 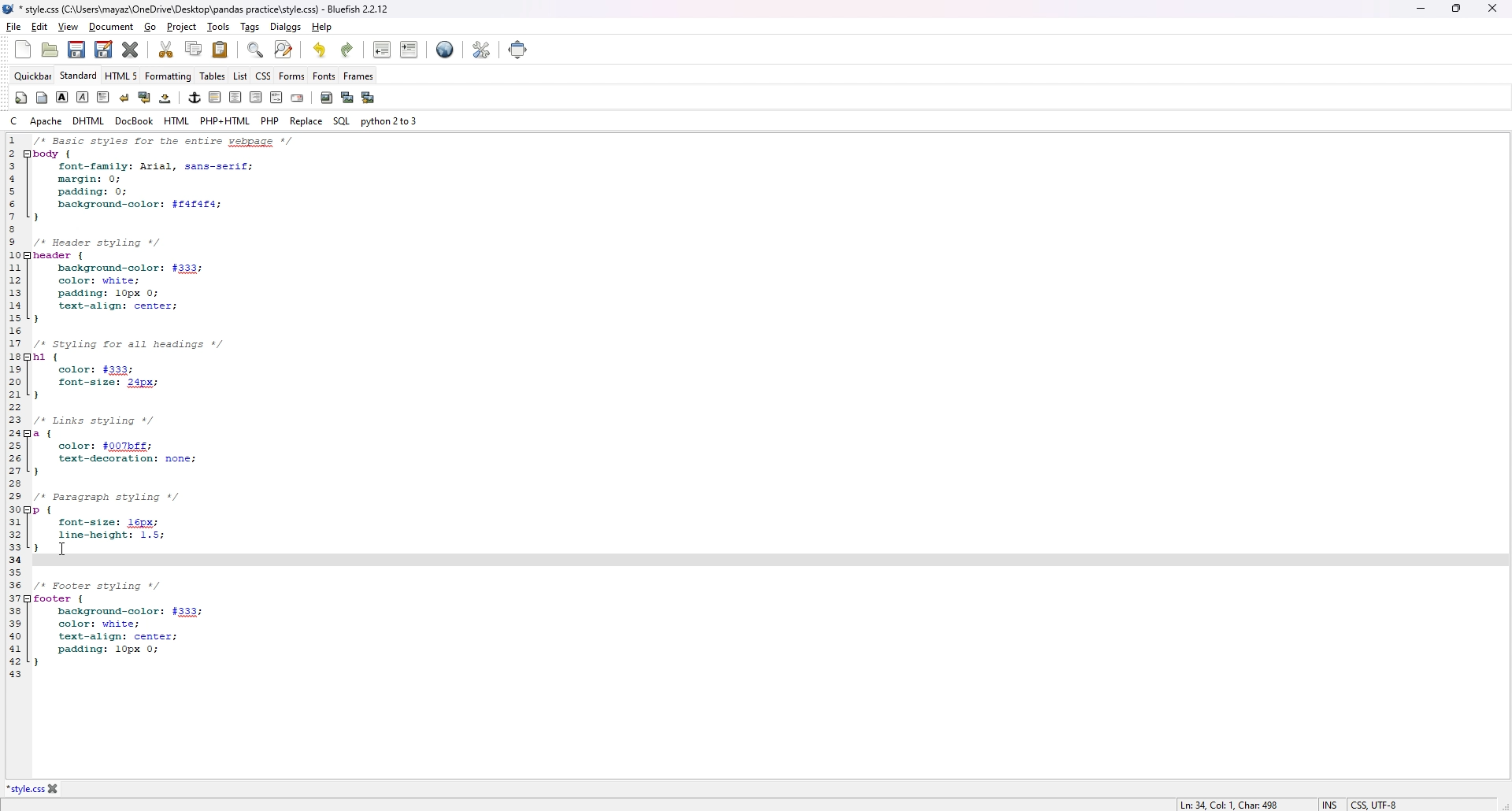 What do you see at coordinates (240, 76) in the screenshot?
I see `list` at bounding box center [240, 76].